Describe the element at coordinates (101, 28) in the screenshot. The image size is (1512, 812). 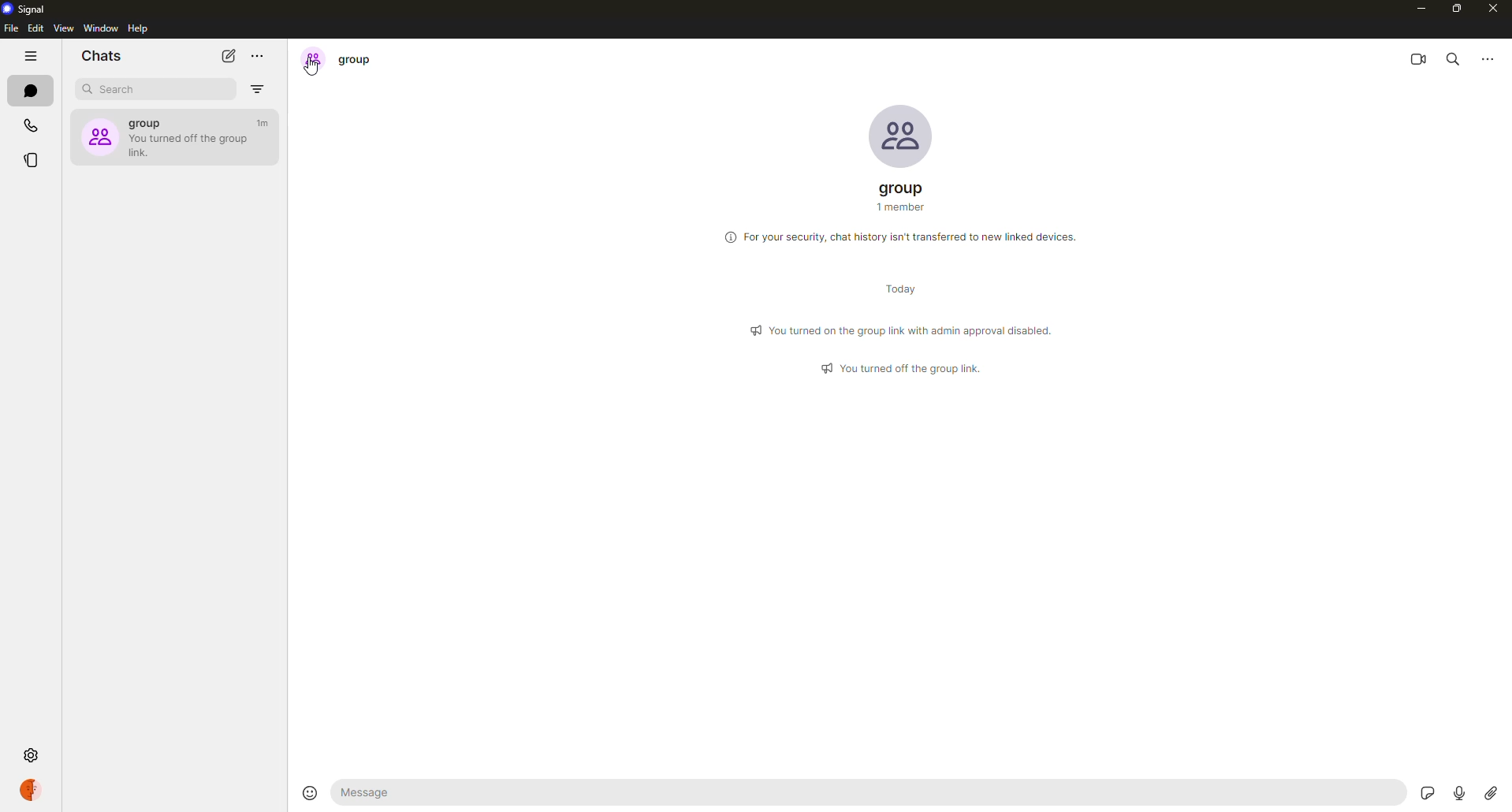
I see `window` at that location.